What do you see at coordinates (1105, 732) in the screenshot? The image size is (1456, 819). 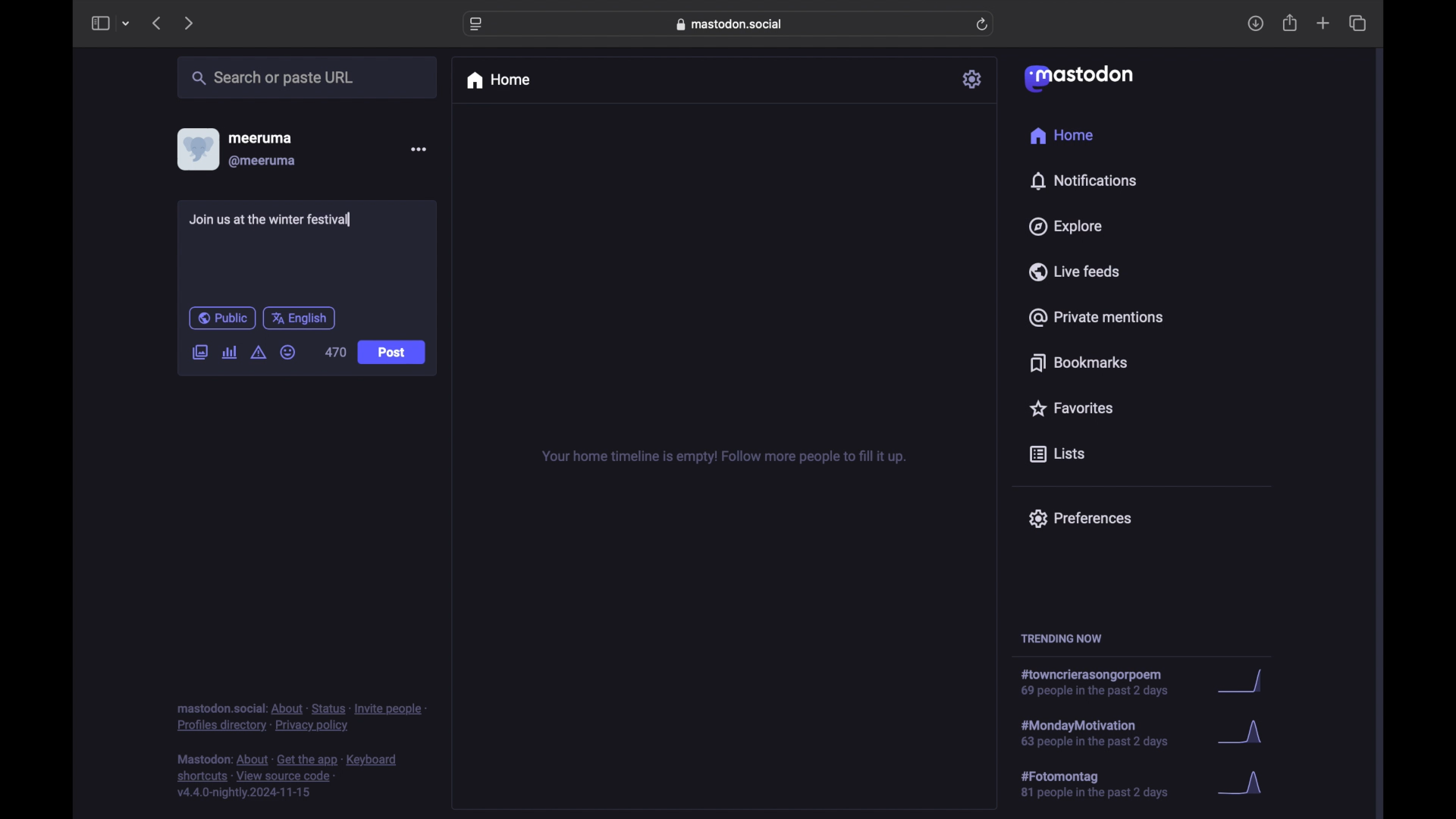 I see `hashtag trend` at bounding box center [1105, 732].